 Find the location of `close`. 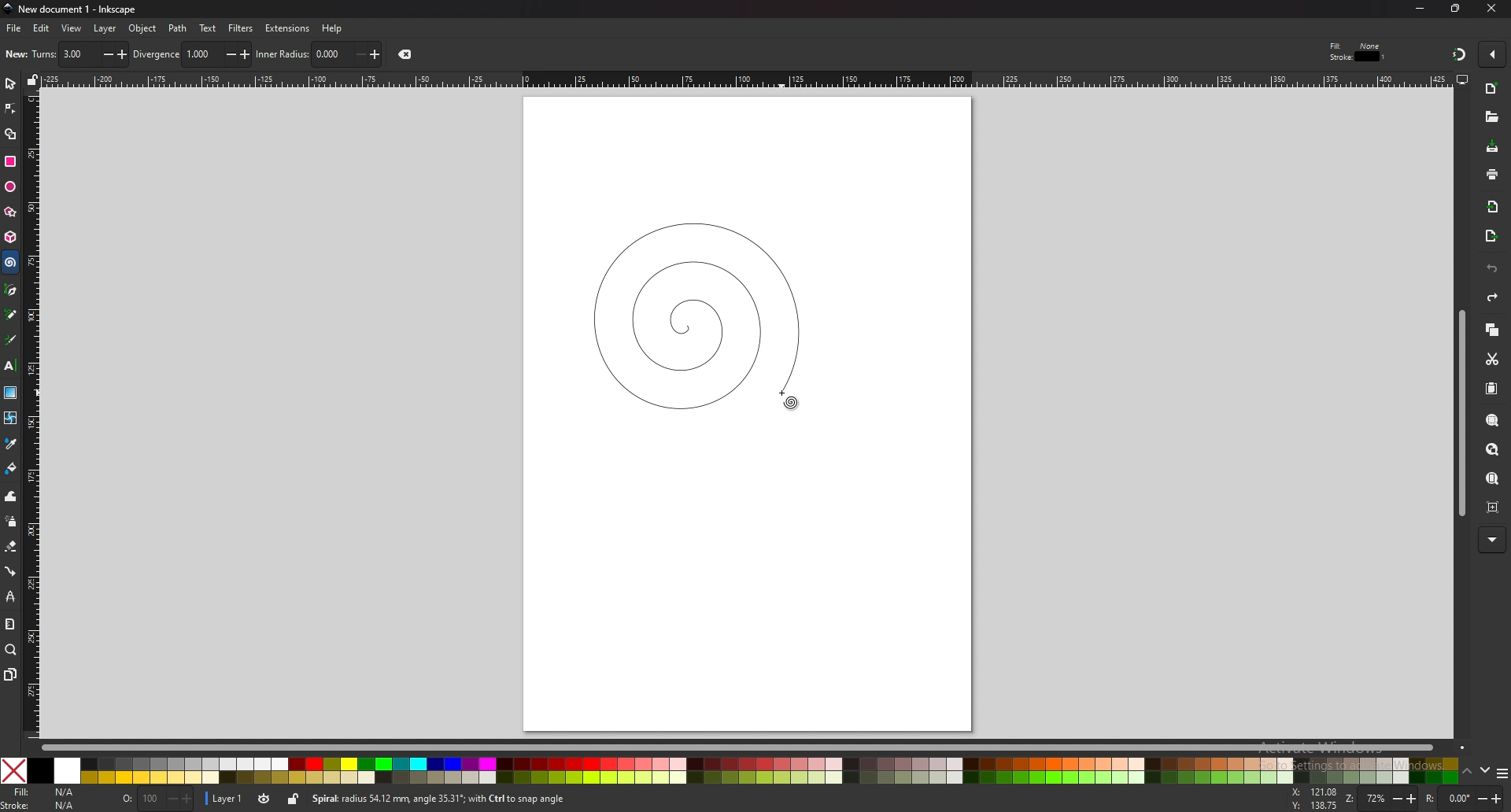

close is located at coordinates (1491, 9).